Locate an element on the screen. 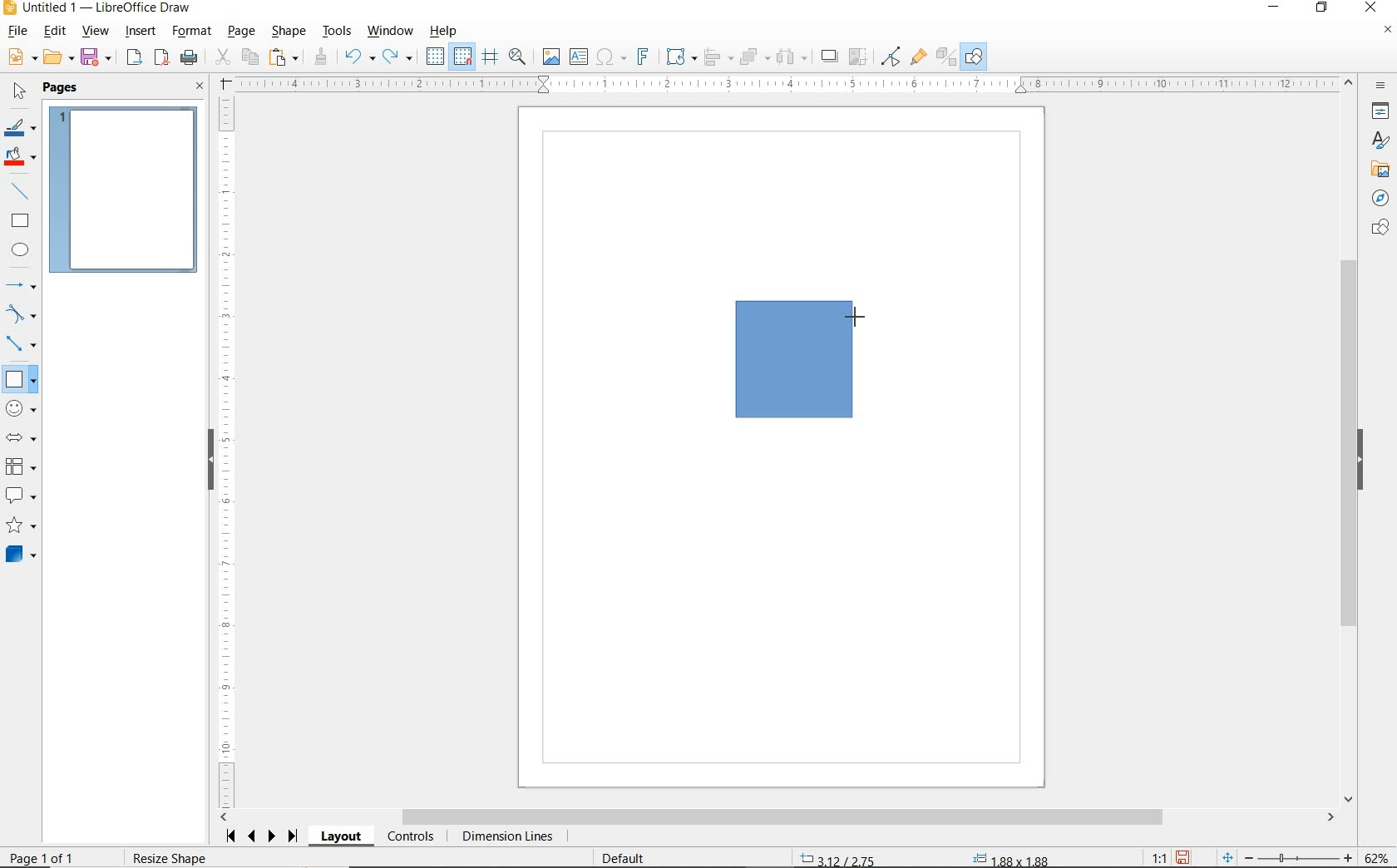 Image resolution: width=1397 pixels, height=868 pixels. SHAPE is located at coordinates (289, 32).